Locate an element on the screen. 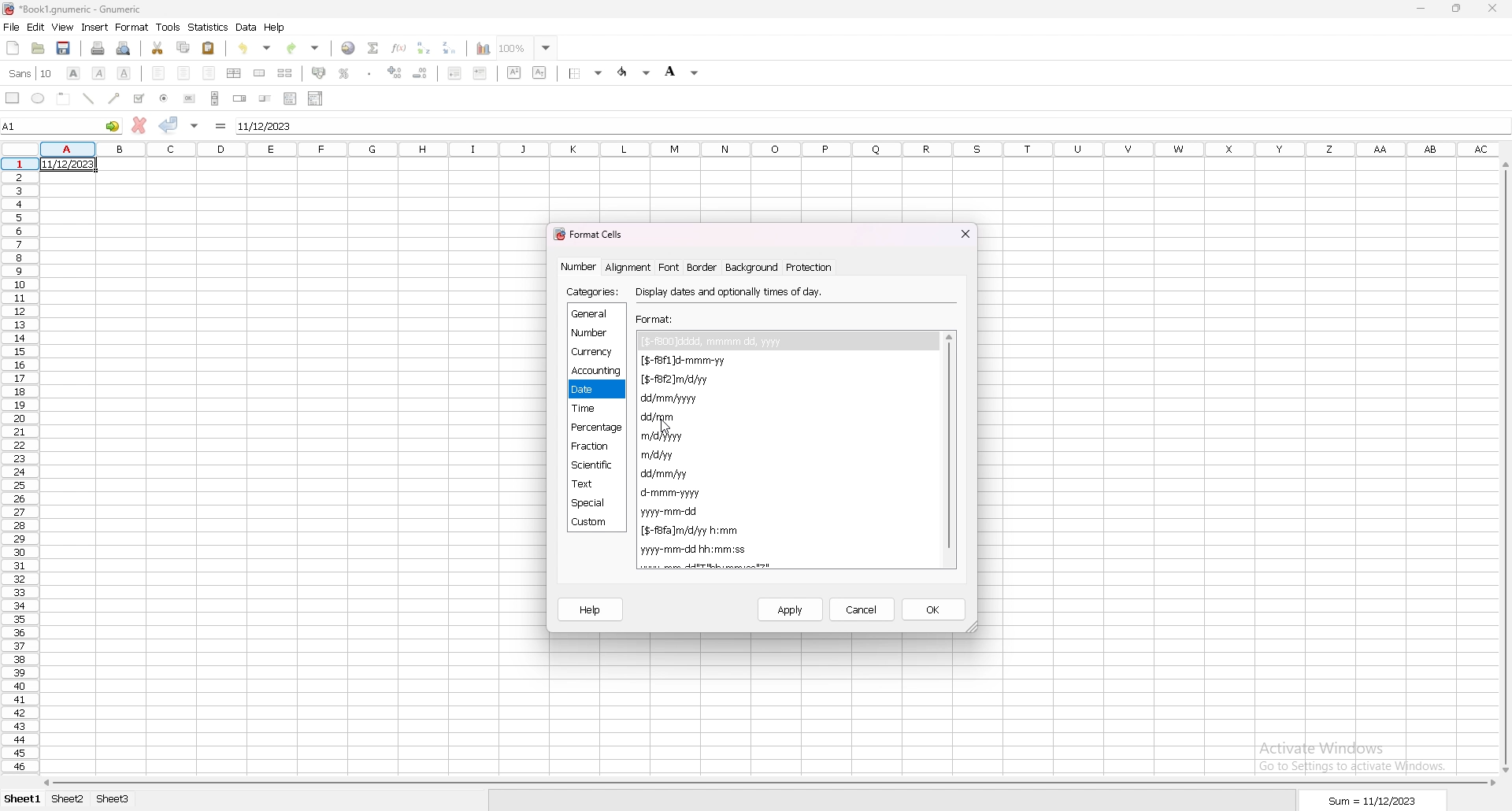 This screenshot has height=811, width=1512. help is located at coordinates (276, 28).